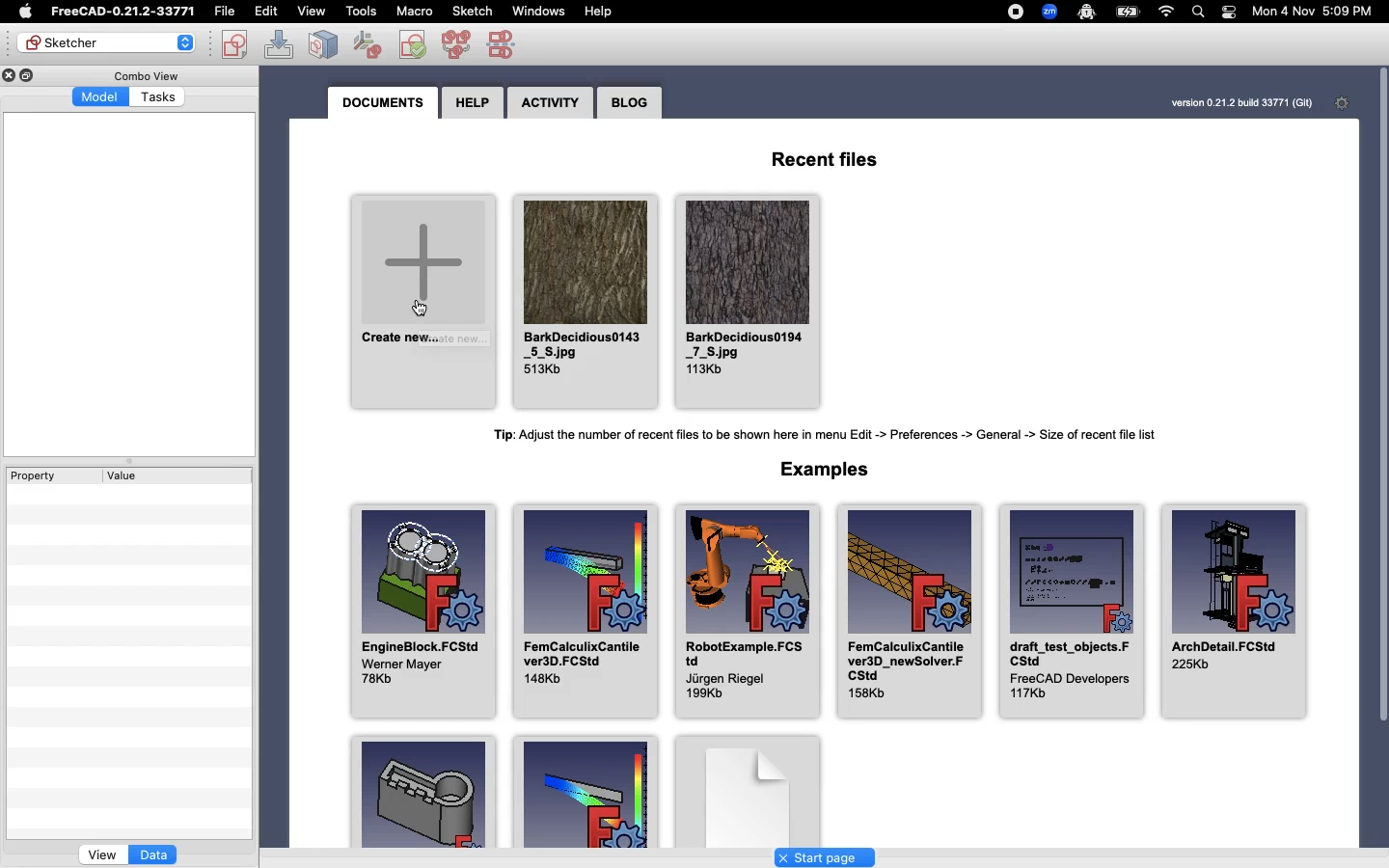 The image size is (1389, 868). What do you see at coordinates (267, 11) in the screenshot?
I see `Edit` at bounding box center [267, 11].